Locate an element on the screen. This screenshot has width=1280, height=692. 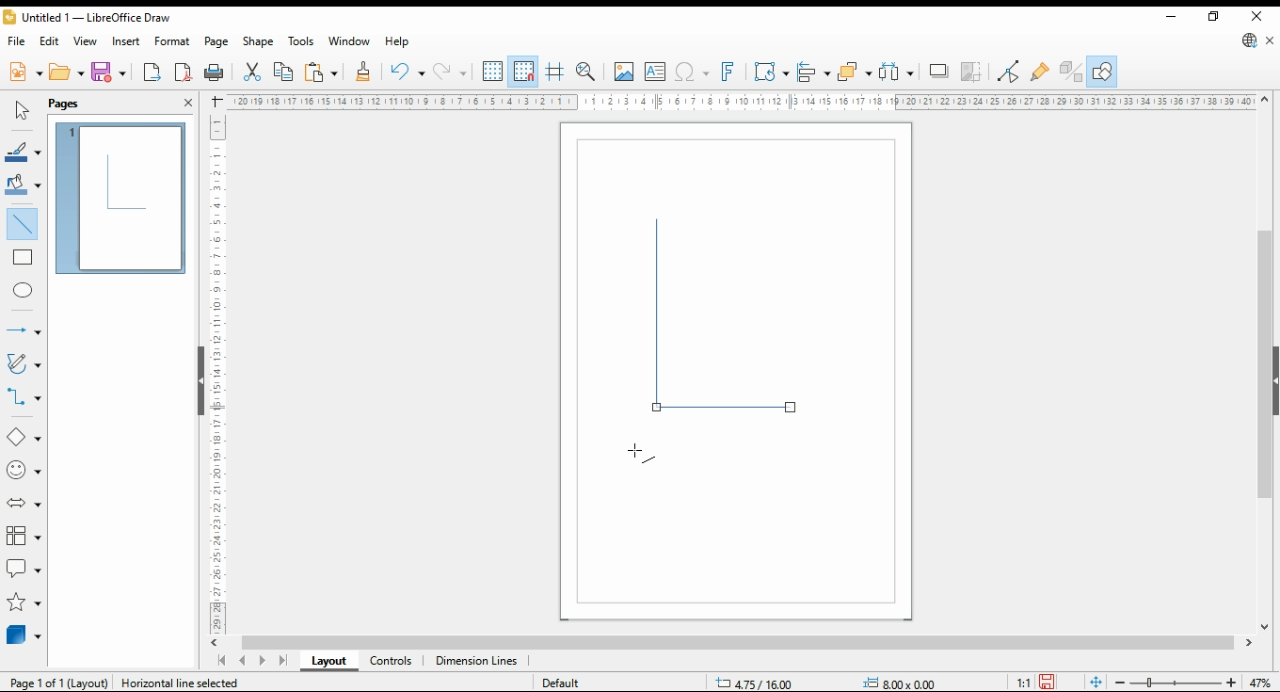
Vertical line selected is located at coordinates (188, 681).